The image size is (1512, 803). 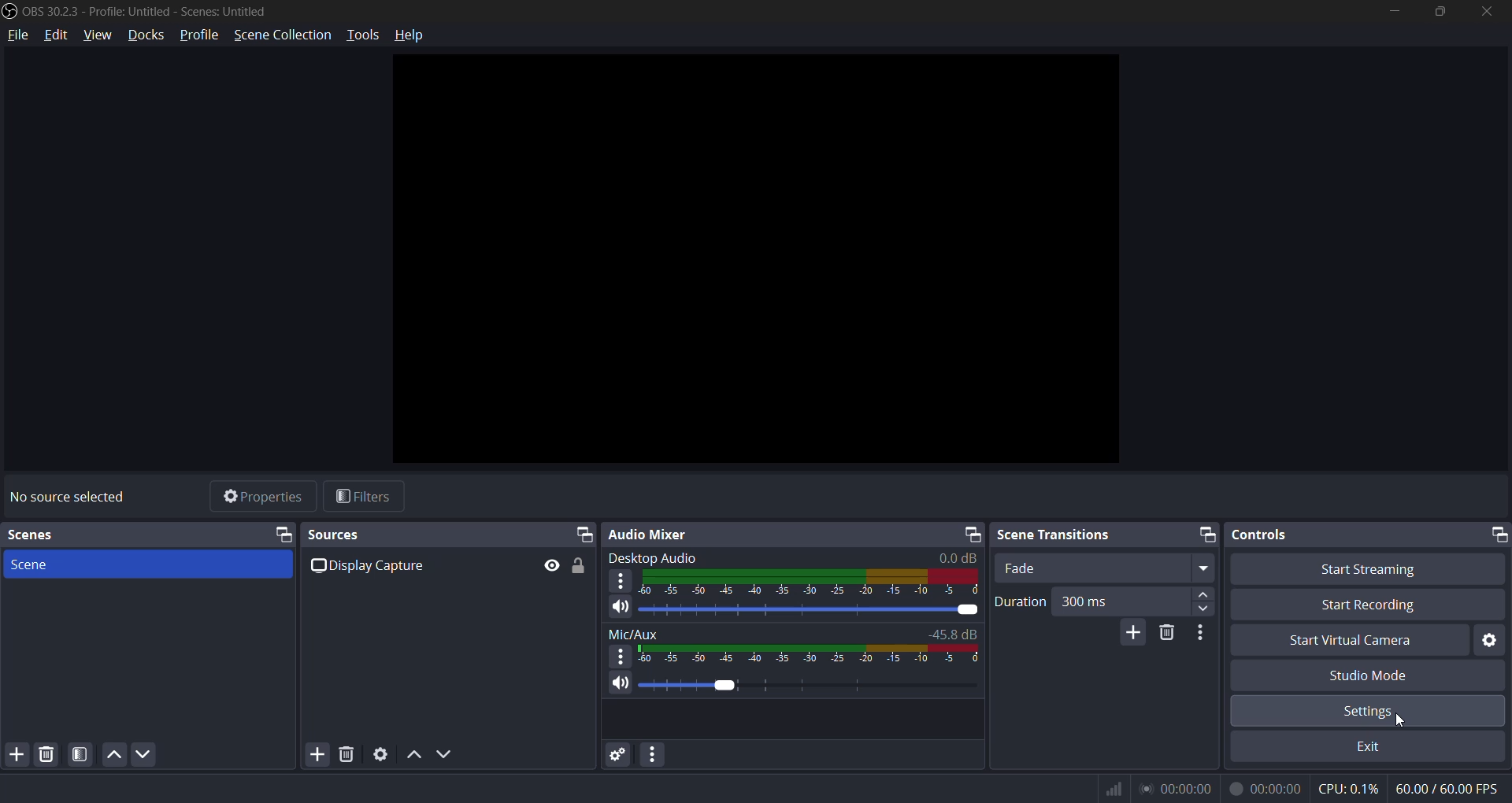 What do you see at coordinates (976, 535) in the screenshot?
I see `float window` at bounding box center [976, 535].